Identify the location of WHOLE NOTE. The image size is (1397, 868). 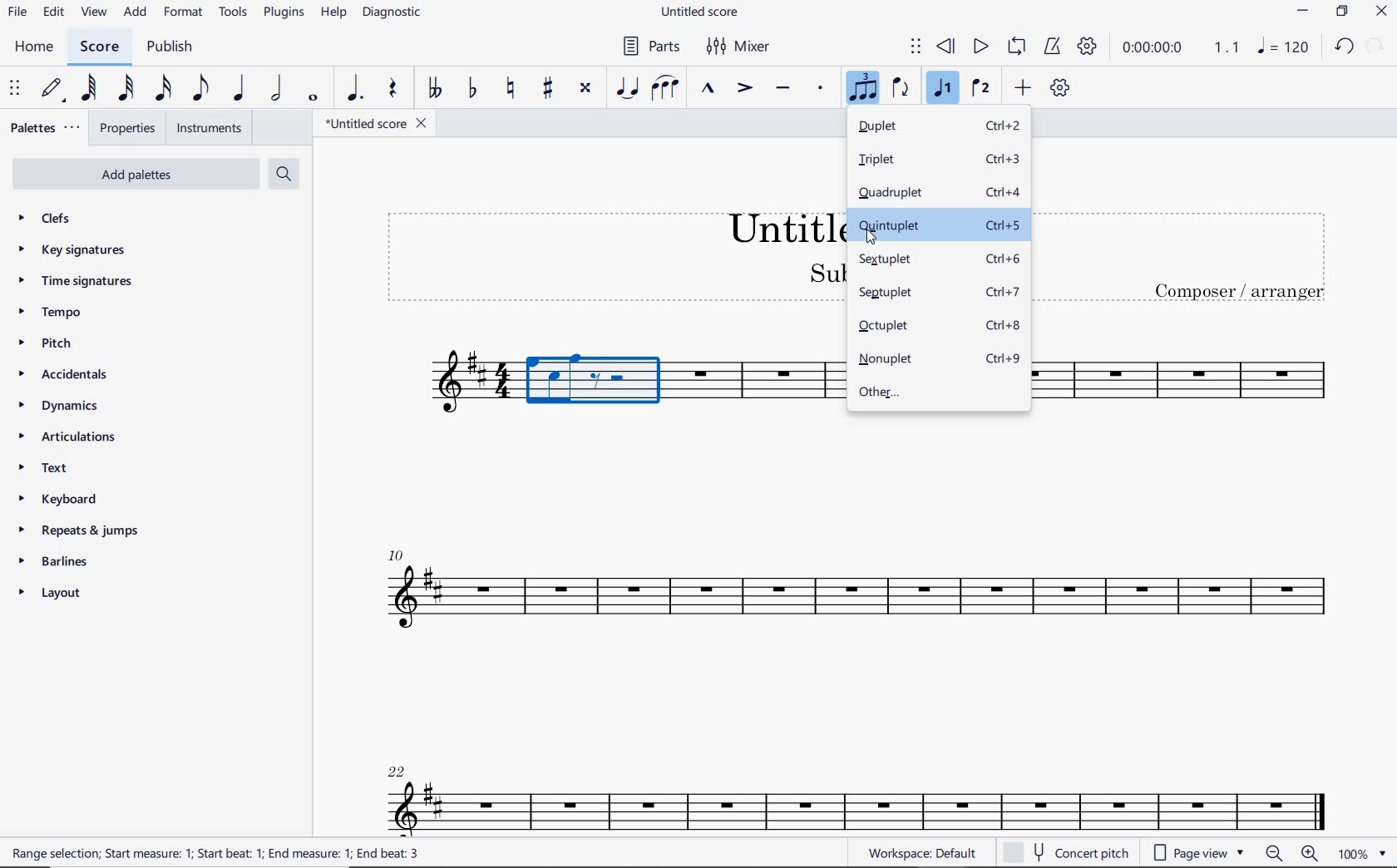
(313, 99).